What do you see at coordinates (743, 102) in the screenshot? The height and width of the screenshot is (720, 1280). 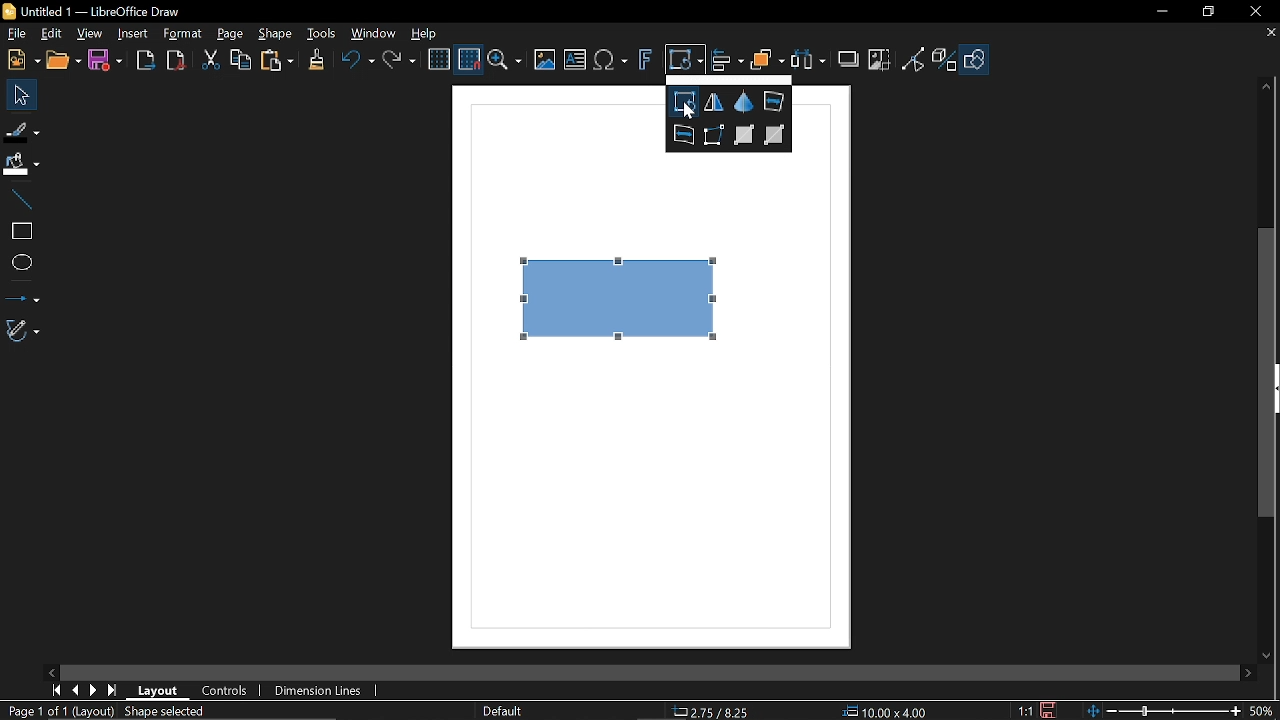 I see `In 3d rotation object` at bounding box center [743, 102].